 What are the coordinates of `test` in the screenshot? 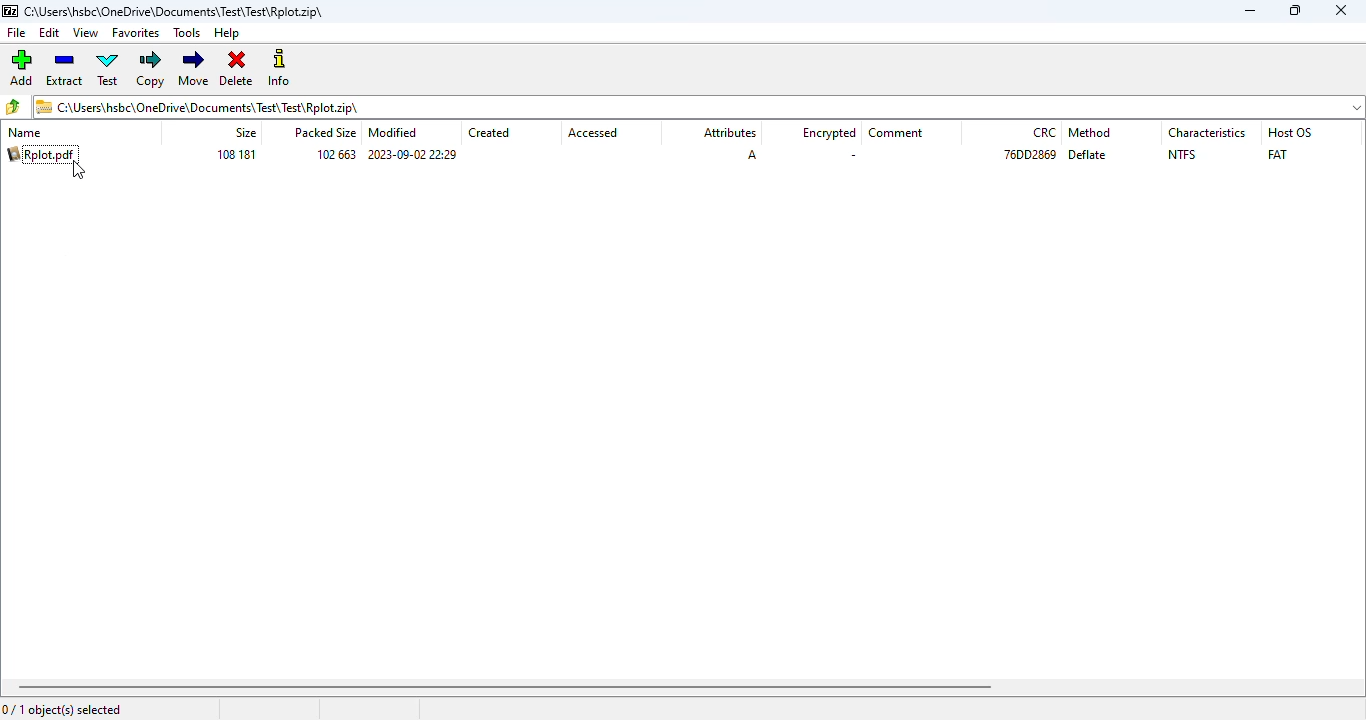 It's located at (109, 68).